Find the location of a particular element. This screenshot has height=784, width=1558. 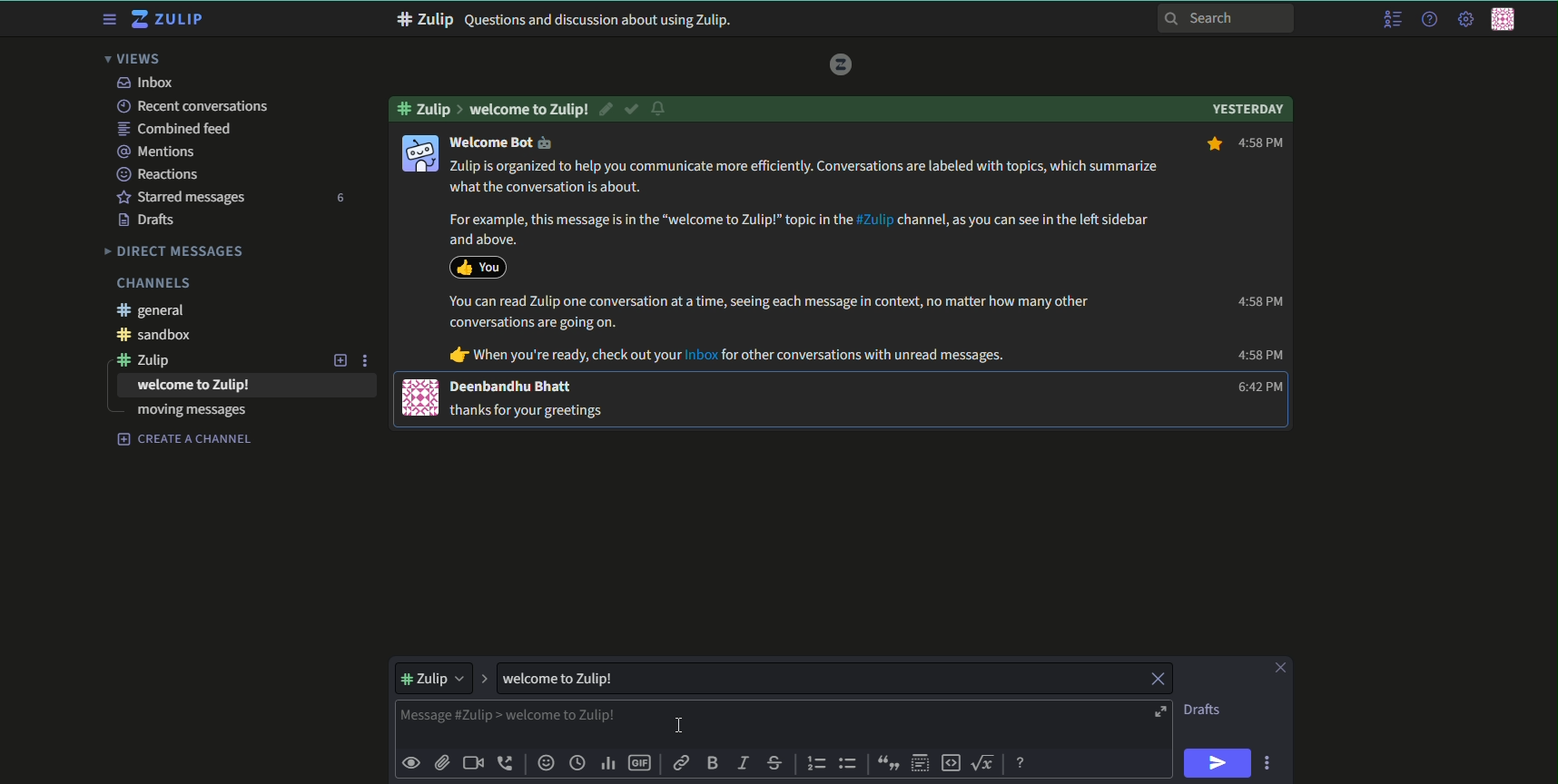

spoiler is located at coordinates (921, 763).